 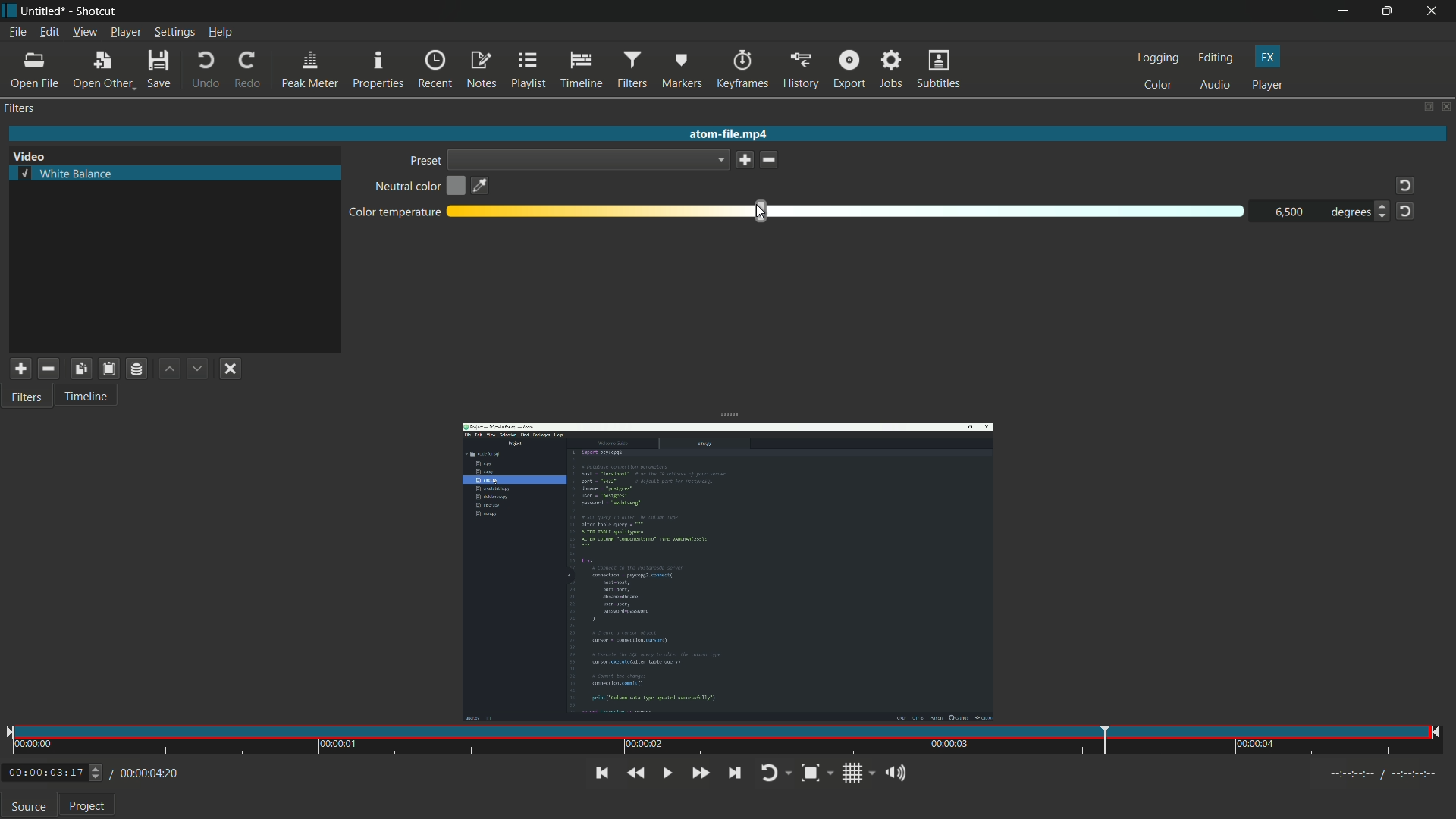 I want to click on export, so click(x=849, y=68).